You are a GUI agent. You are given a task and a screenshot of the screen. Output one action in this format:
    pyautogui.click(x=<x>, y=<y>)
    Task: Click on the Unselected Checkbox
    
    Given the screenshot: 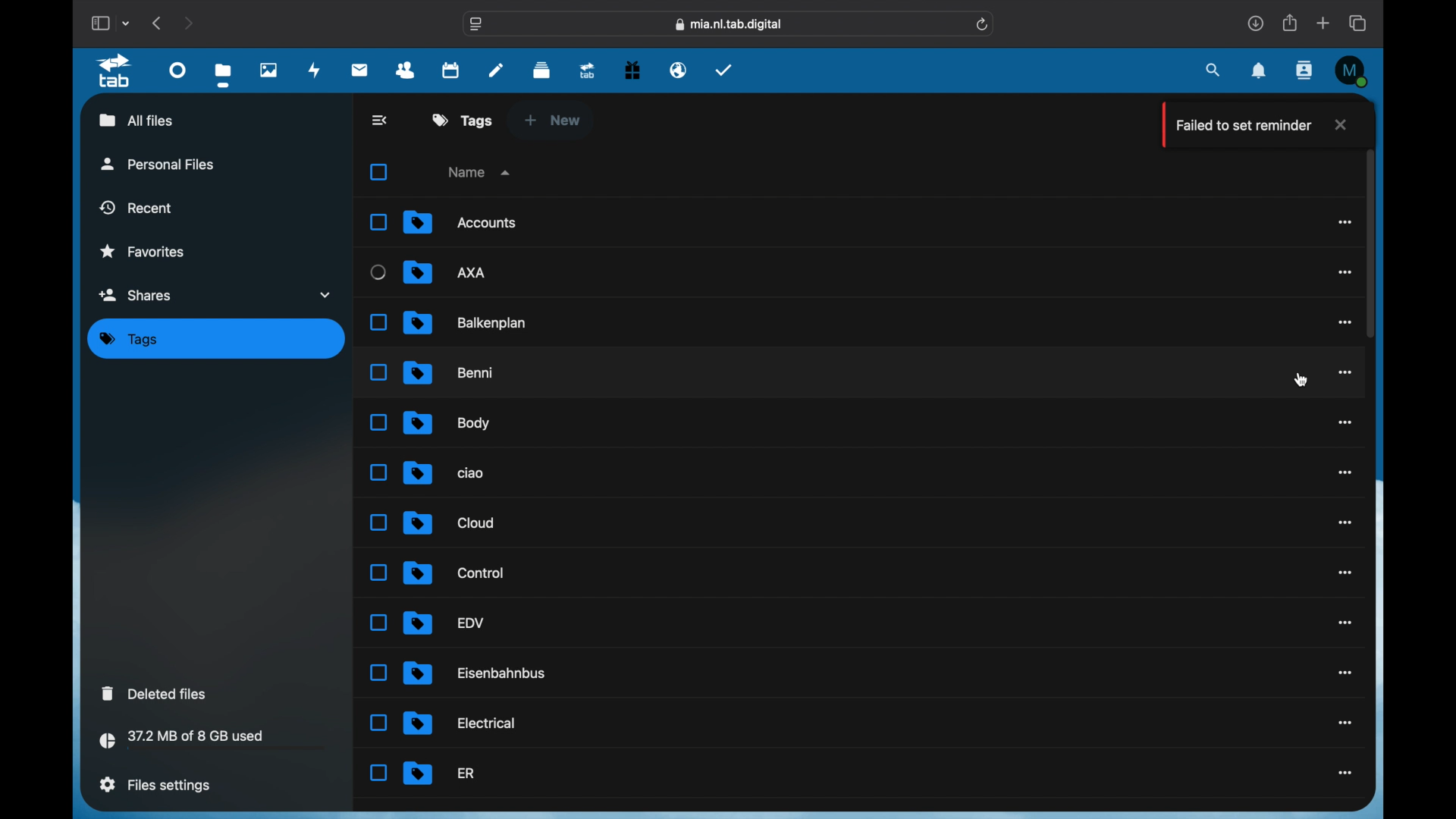 What is the action you would take?
    pyautogui.click(x=378, y=323)
    